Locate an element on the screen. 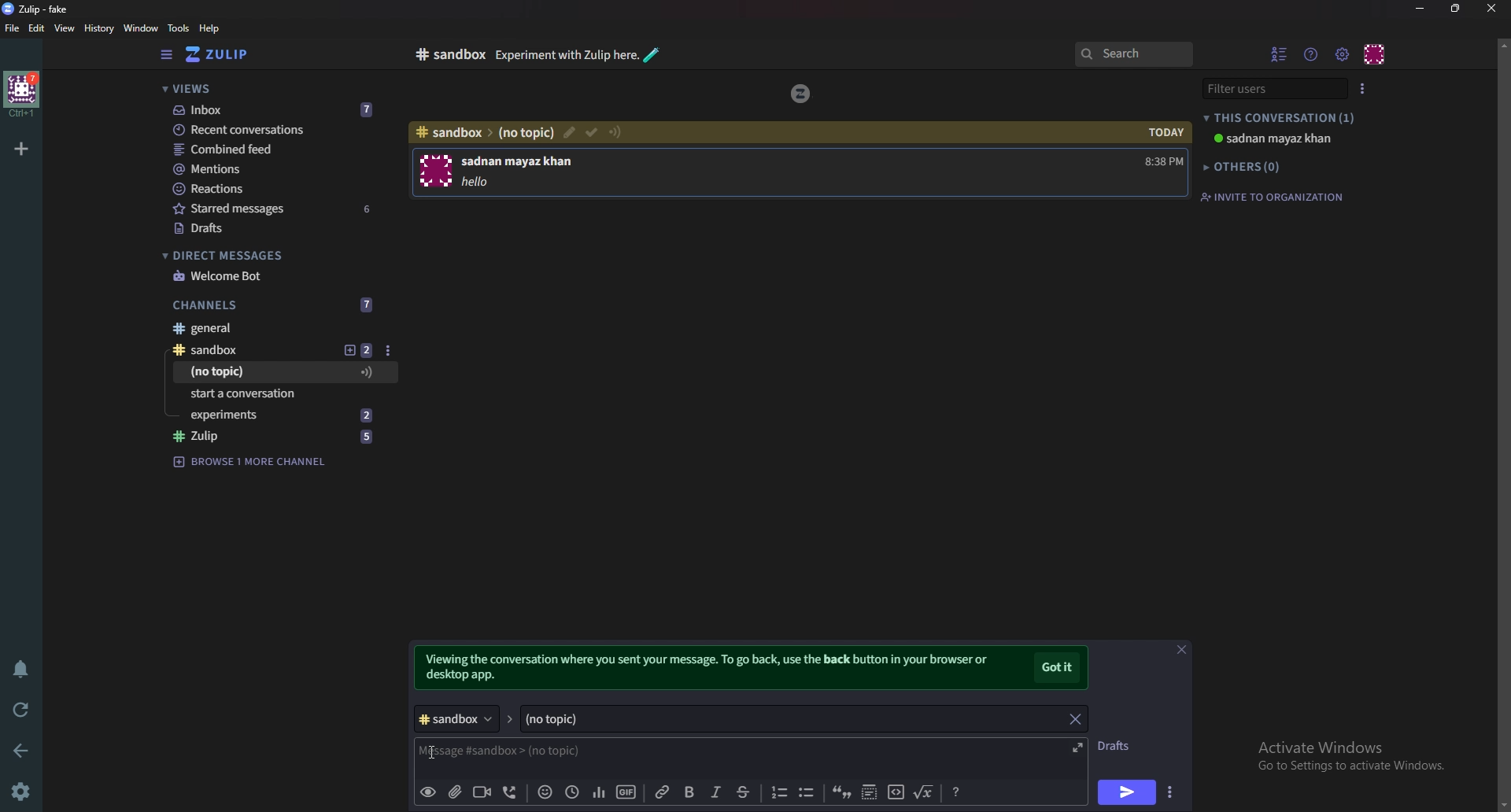 This screenshot has height=812, width=1511. Help menu is located at coordinates (1311, 54).